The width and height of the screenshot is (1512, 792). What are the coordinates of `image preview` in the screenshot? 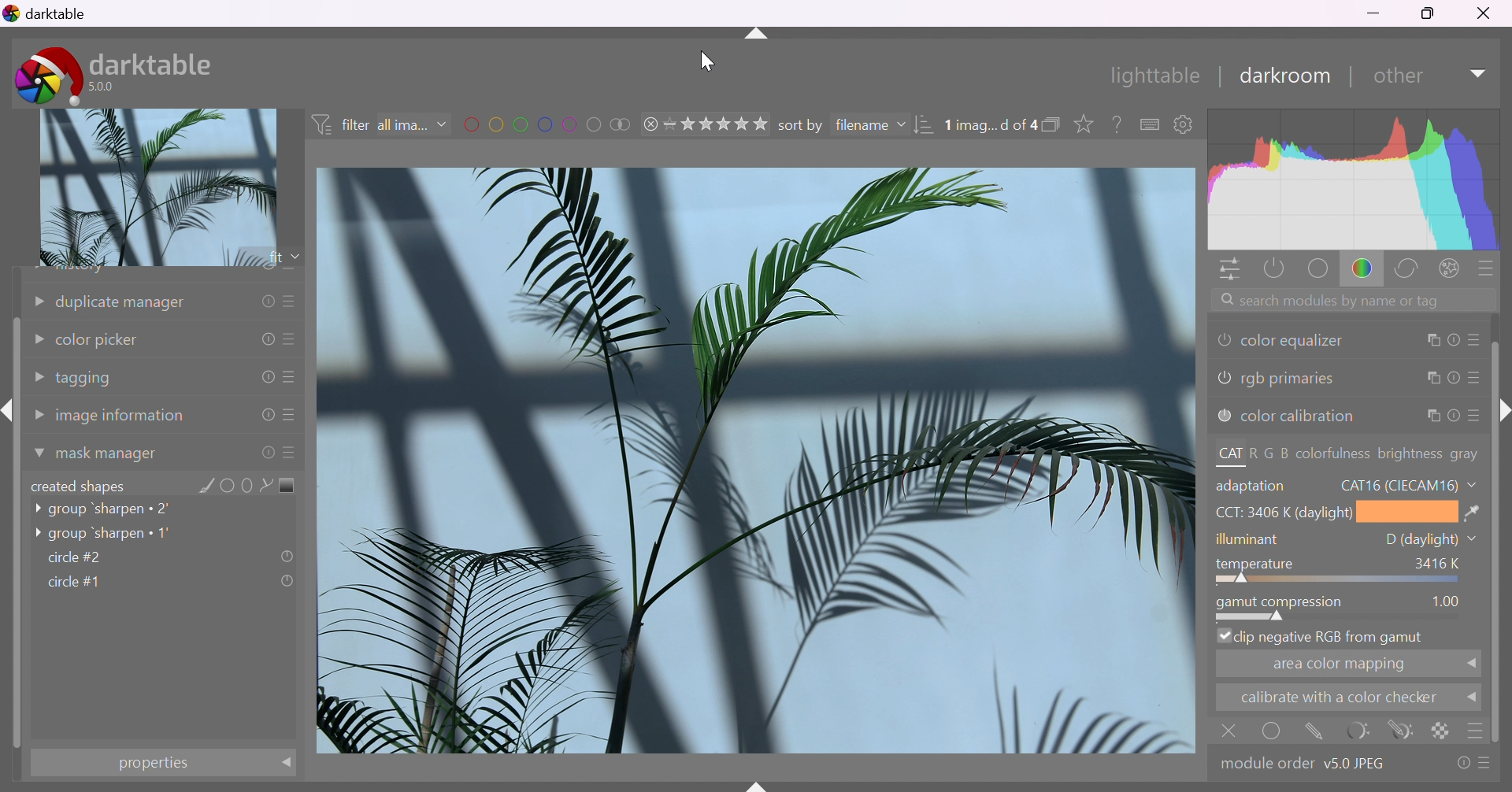 It's located at (160, 189).